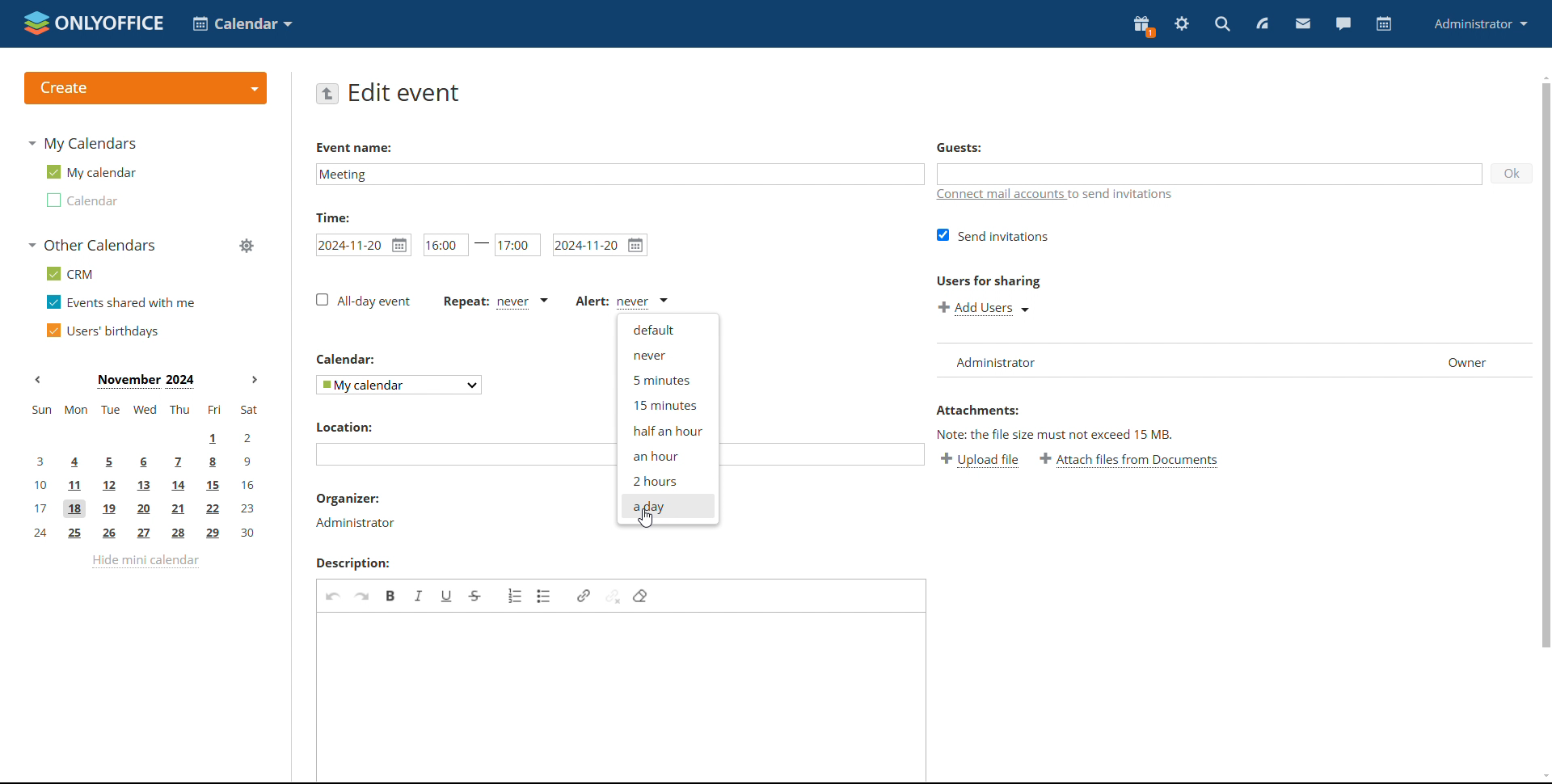  I want to click on bold, so click(391, 596).